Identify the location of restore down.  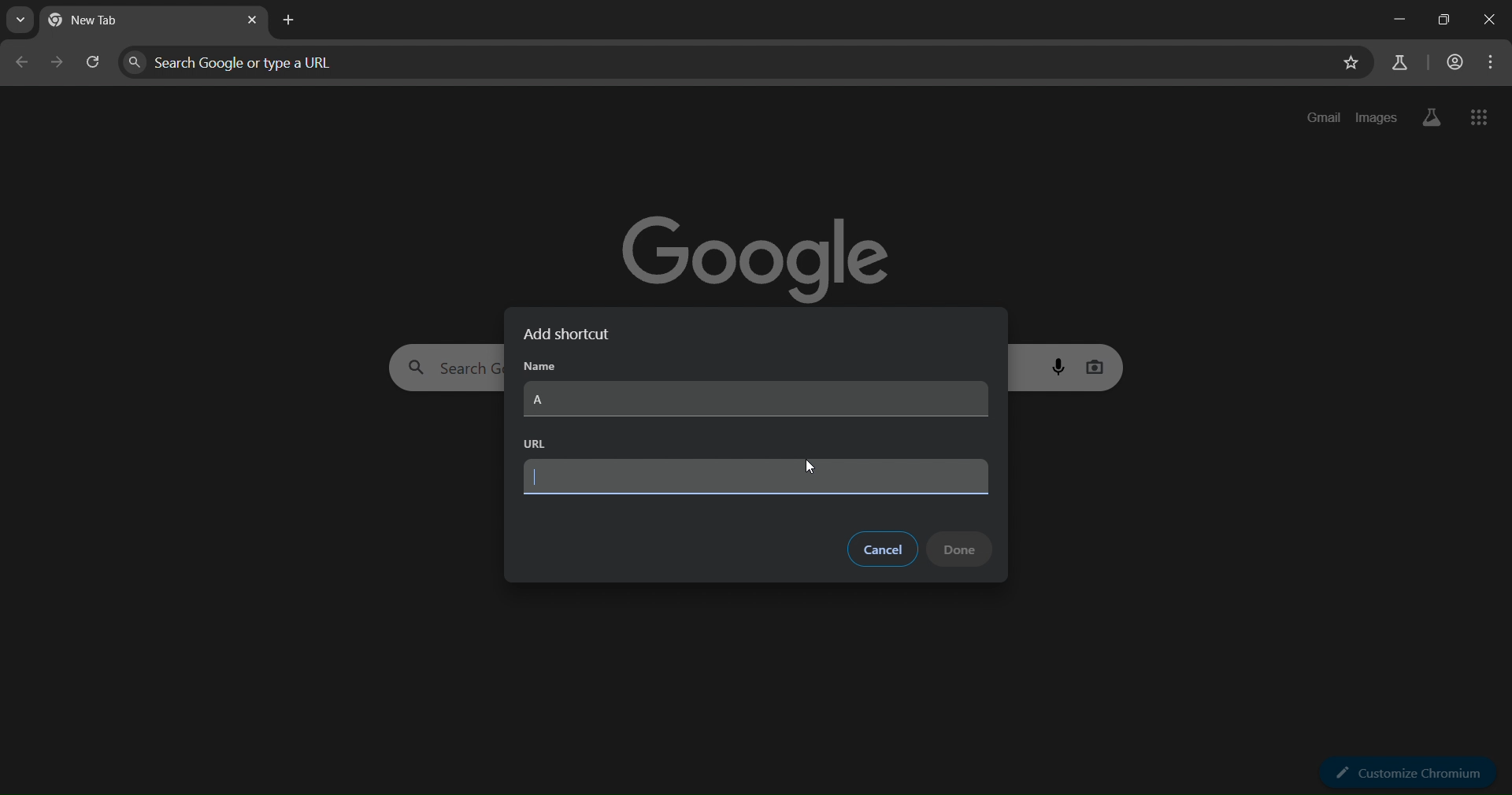
(1439, 21).